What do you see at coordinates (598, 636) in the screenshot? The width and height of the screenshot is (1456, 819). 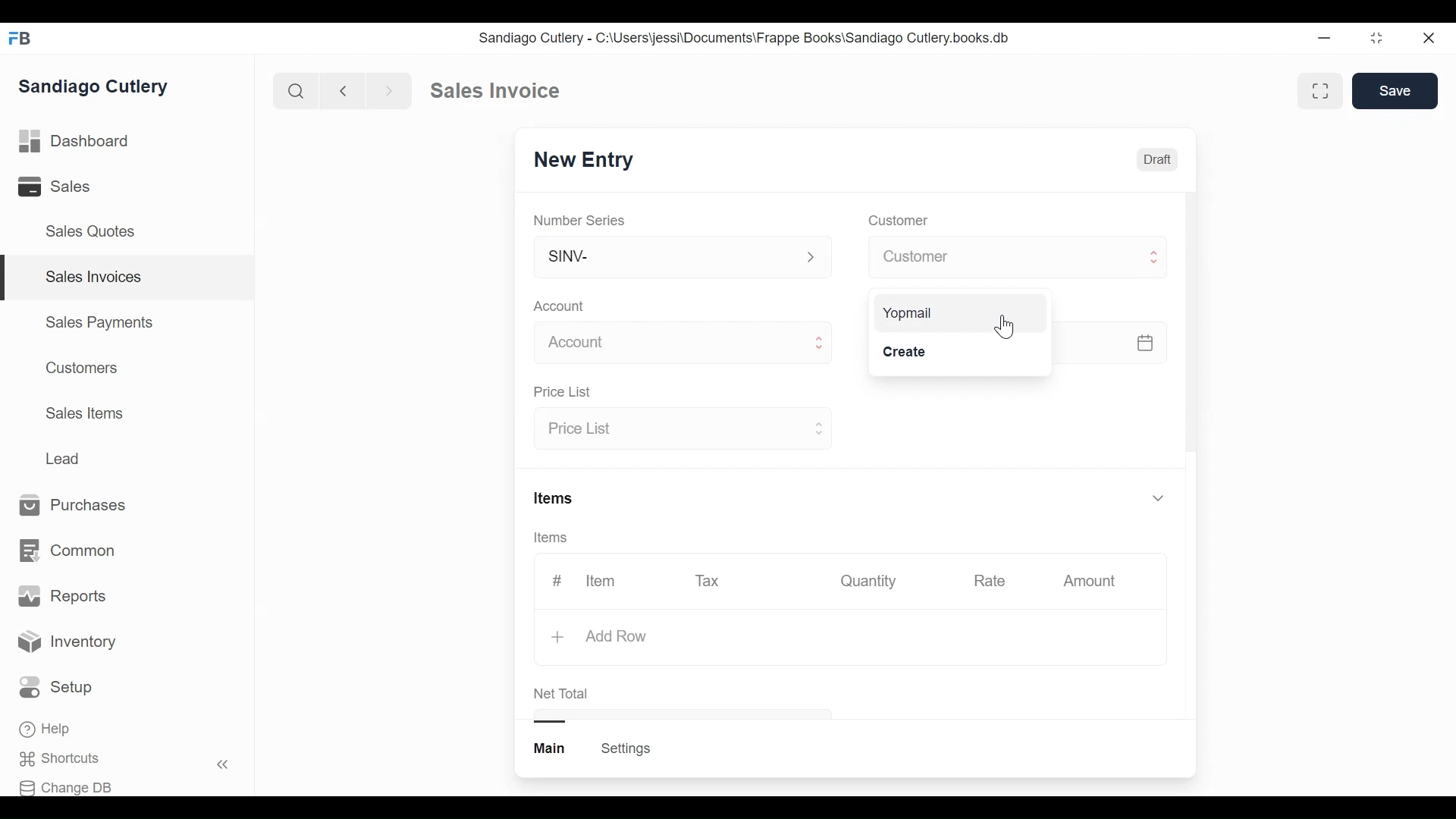 I see `+ Add Row` at bounding box center [598, 636].